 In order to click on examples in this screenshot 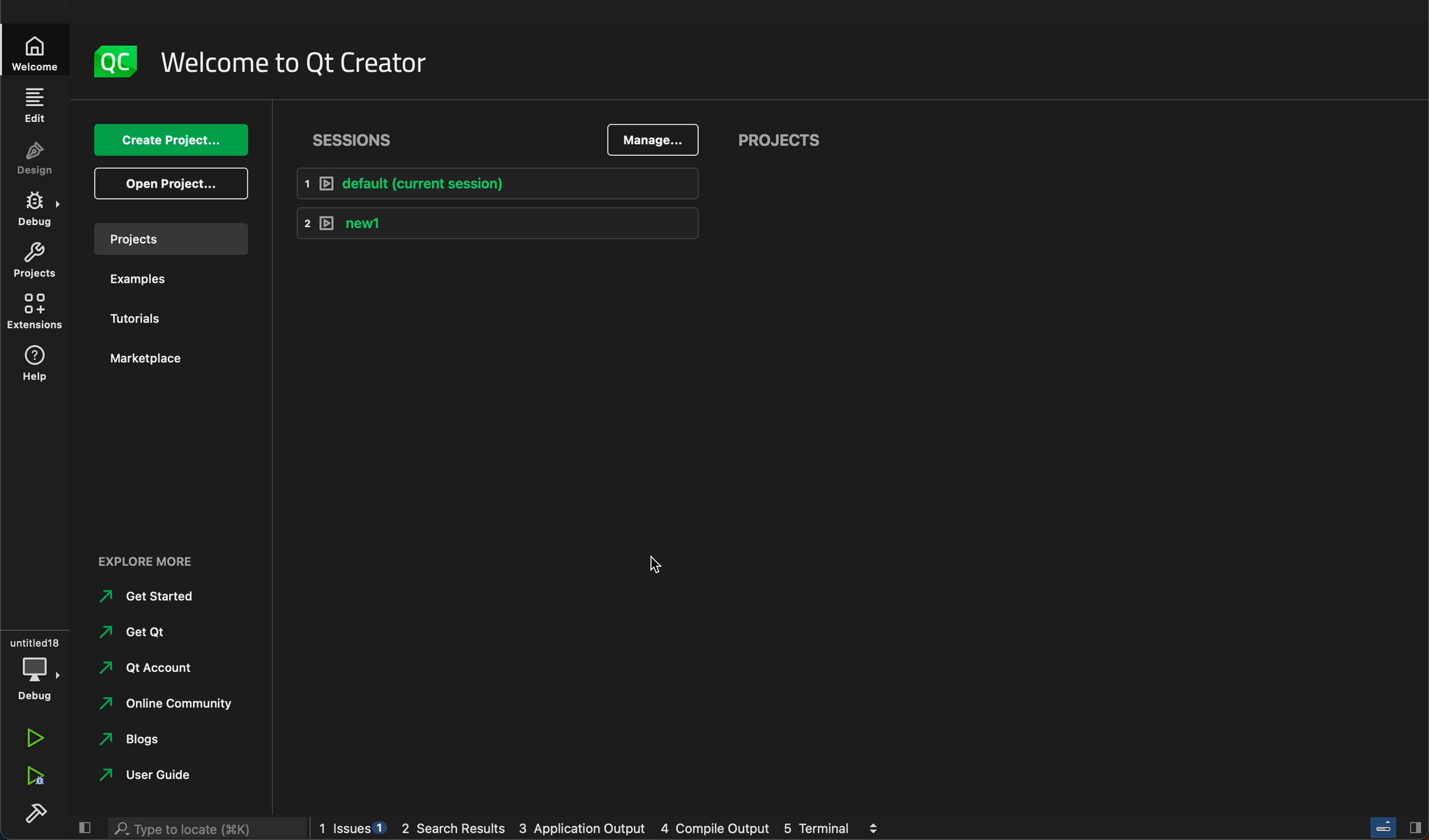, I will do `click(159, 280)`.